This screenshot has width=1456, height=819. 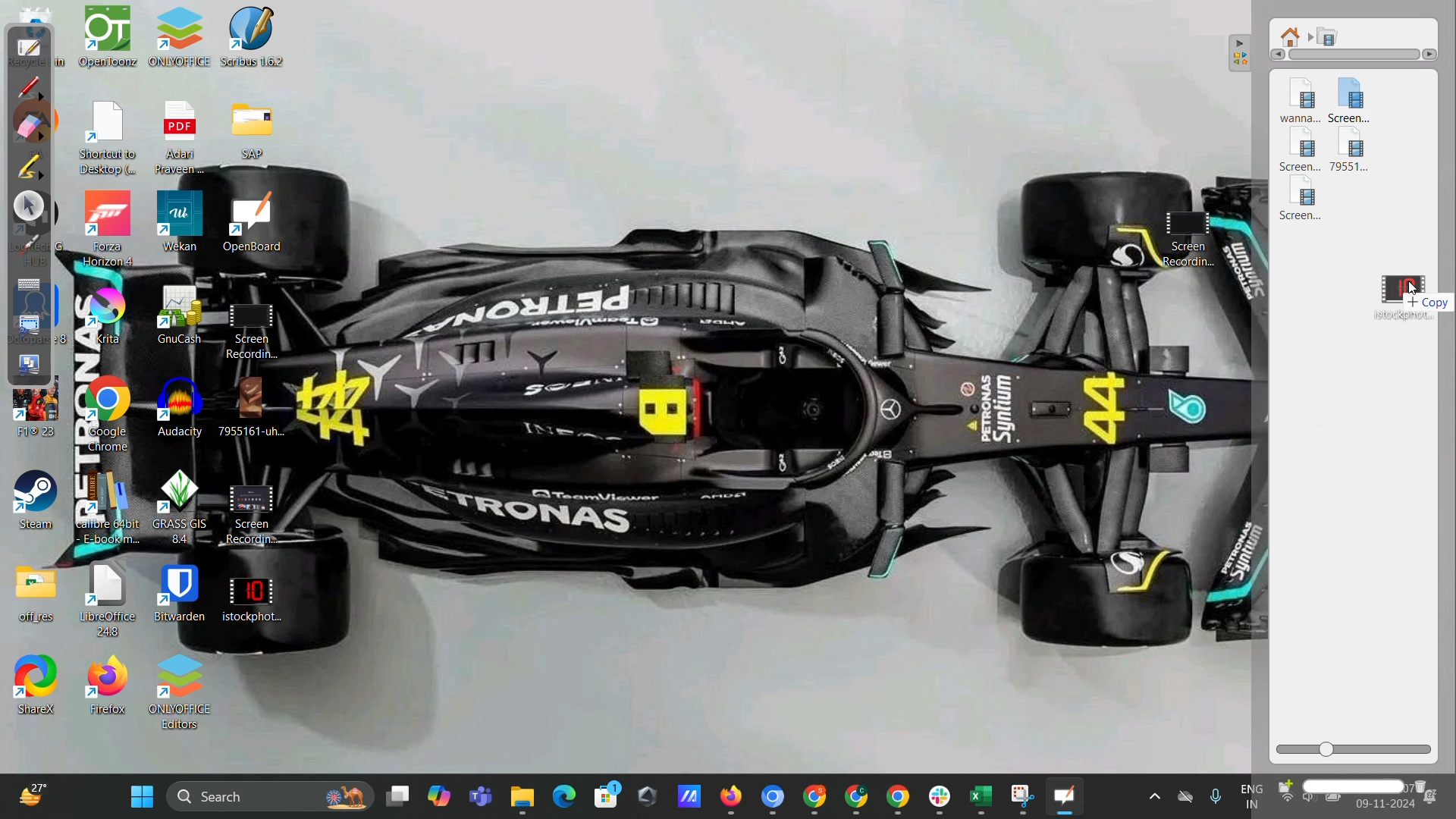 What do you see at coordinates (981, 796) in the screenshot?
I see `minimized microsoft excel` at bounding box center [981, 796].